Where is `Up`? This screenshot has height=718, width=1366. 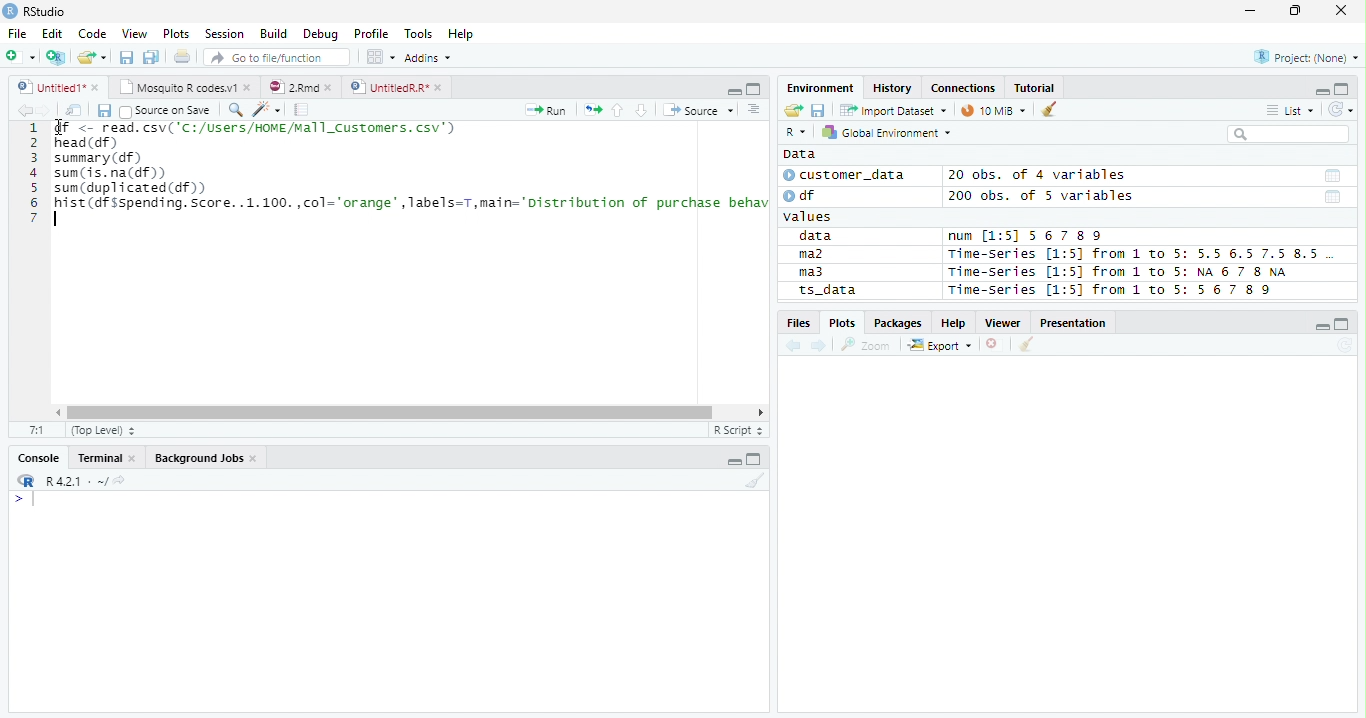 Up is located at coordinates (617, 111).